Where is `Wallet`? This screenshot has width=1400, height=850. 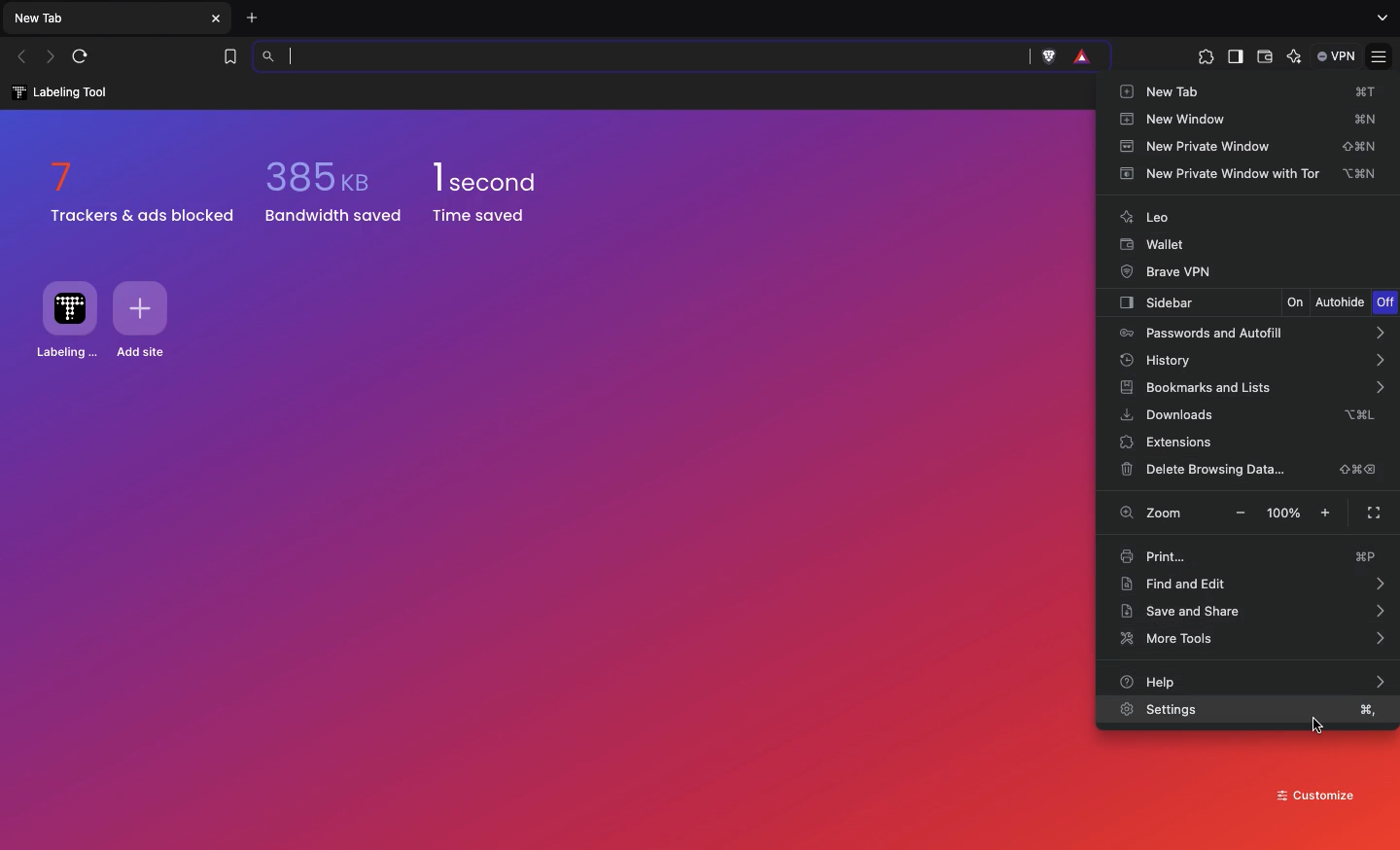
Wallet is located at coordinates (1156, 246).